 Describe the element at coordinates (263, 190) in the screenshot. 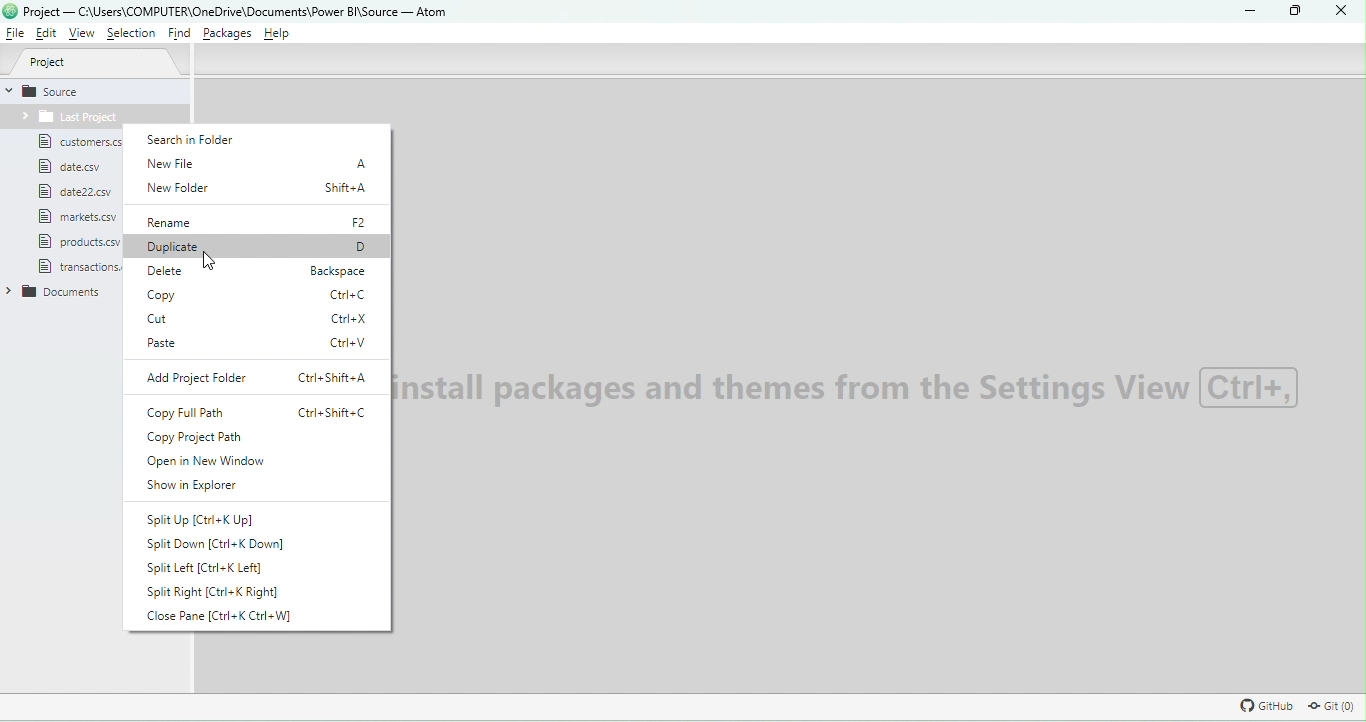

I see `New folder` at that location.